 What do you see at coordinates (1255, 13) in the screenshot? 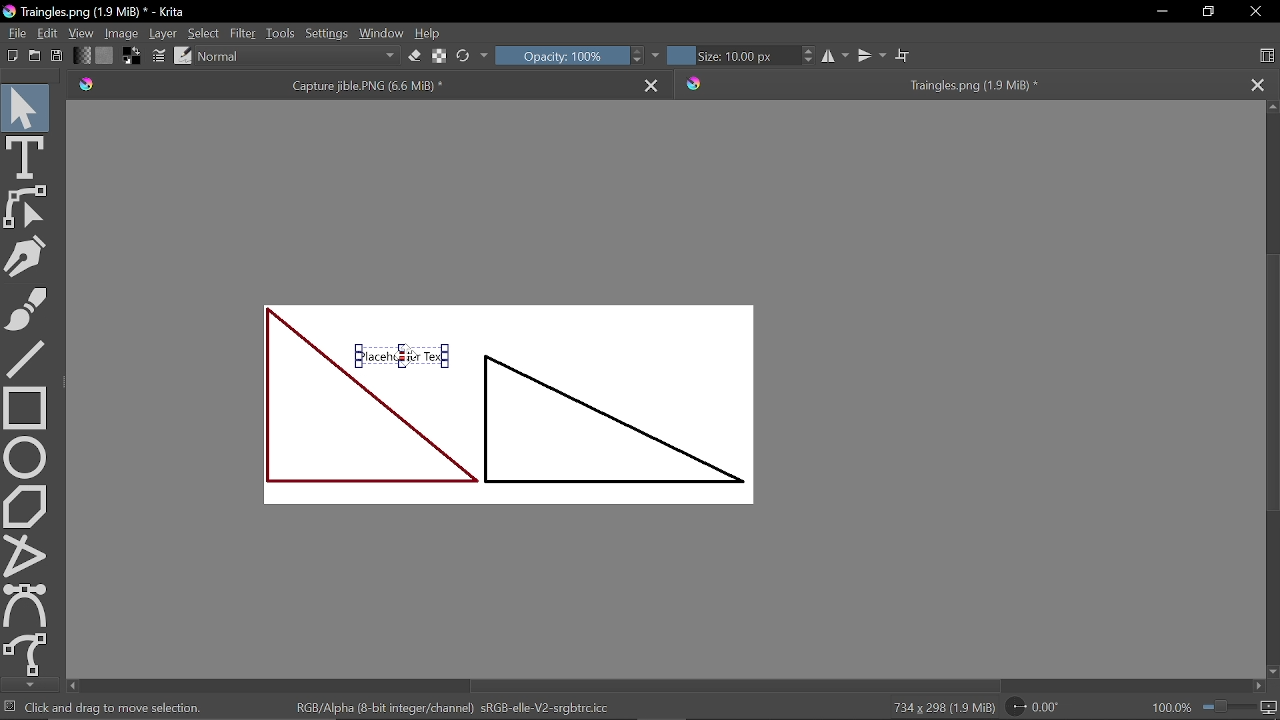
I see `Close` at bounding box center [1255, 13].